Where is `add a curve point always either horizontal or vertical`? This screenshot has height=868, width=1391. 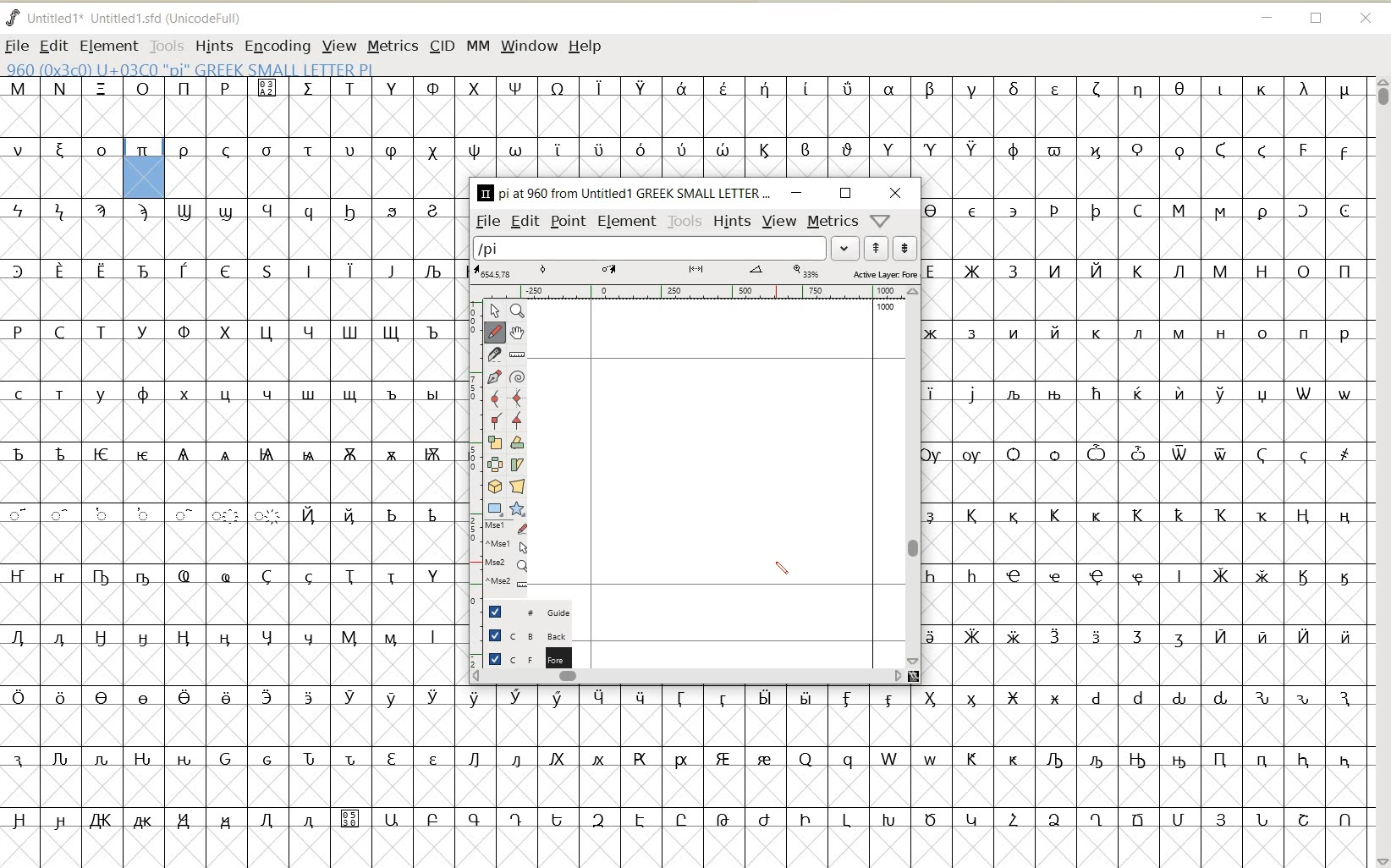
add a curve point always either horizontal or vertical is located at coordinates (519, 398).